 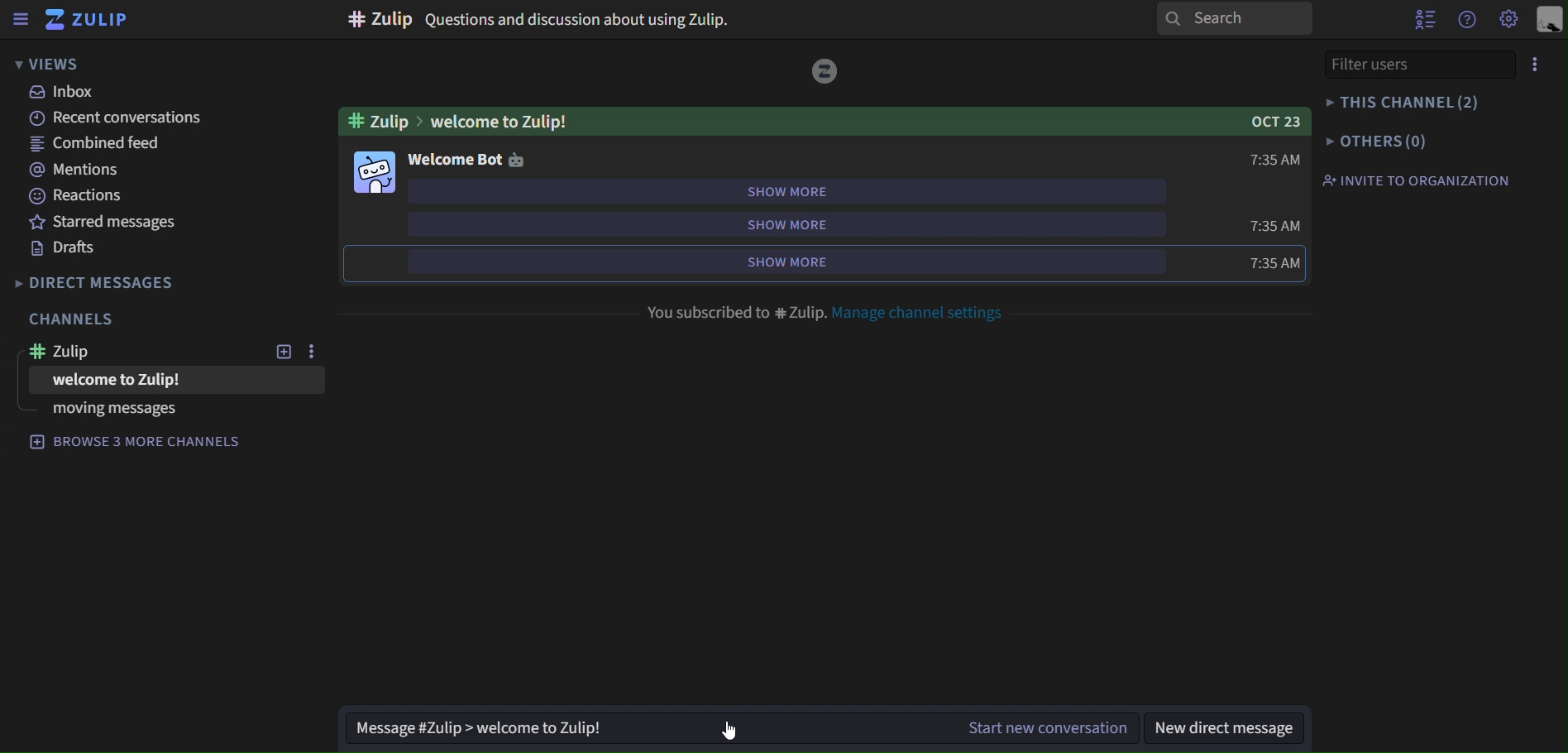 What do you see at coordinates (825, 71) in the screenshot?
I see `logo` at bounding box center [825, 71].